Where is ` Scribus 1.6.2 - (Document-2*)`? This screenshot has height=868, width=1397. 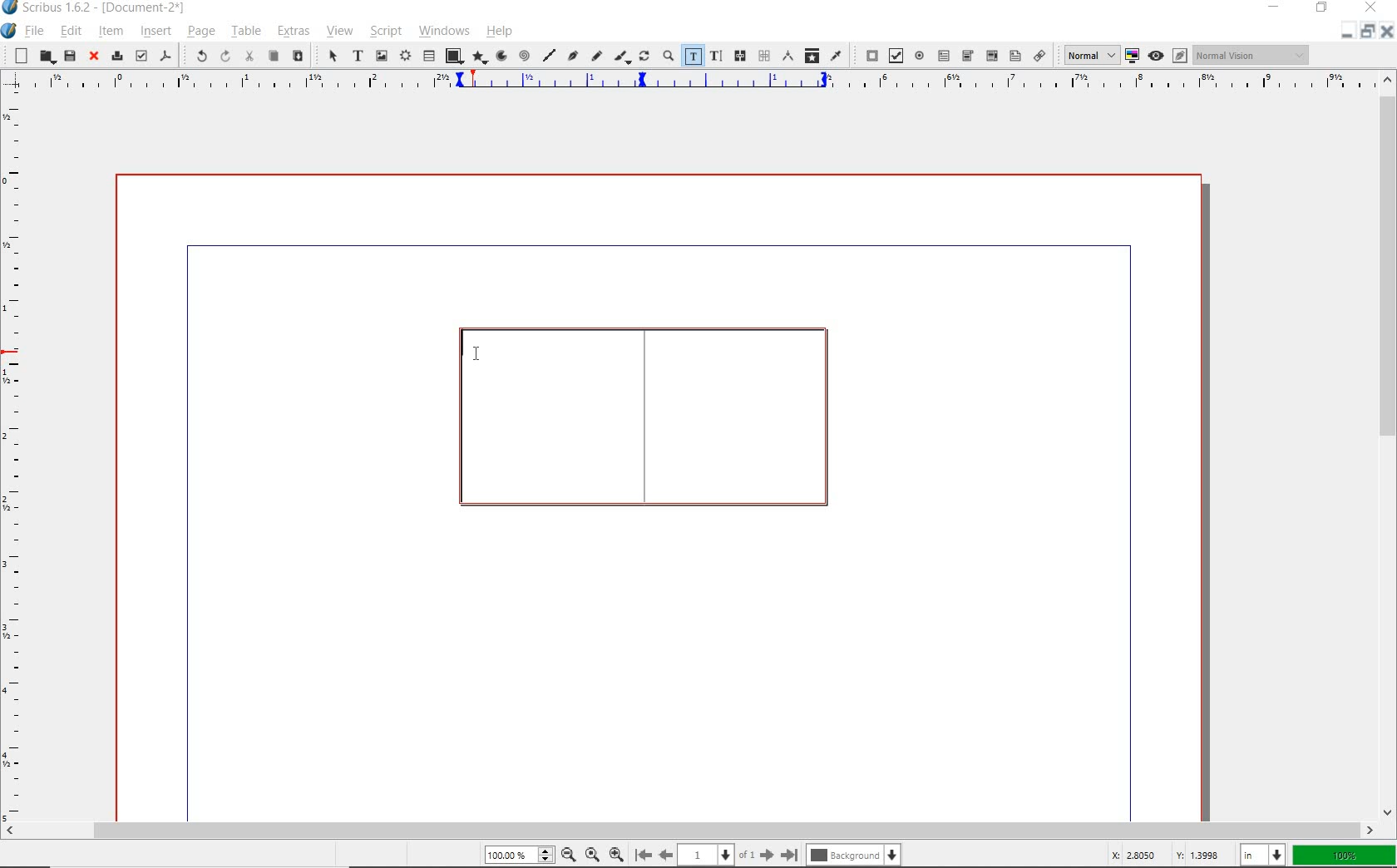  Scribus 1.6.2 - (Document-2*) is located at coordinates (99, 8).